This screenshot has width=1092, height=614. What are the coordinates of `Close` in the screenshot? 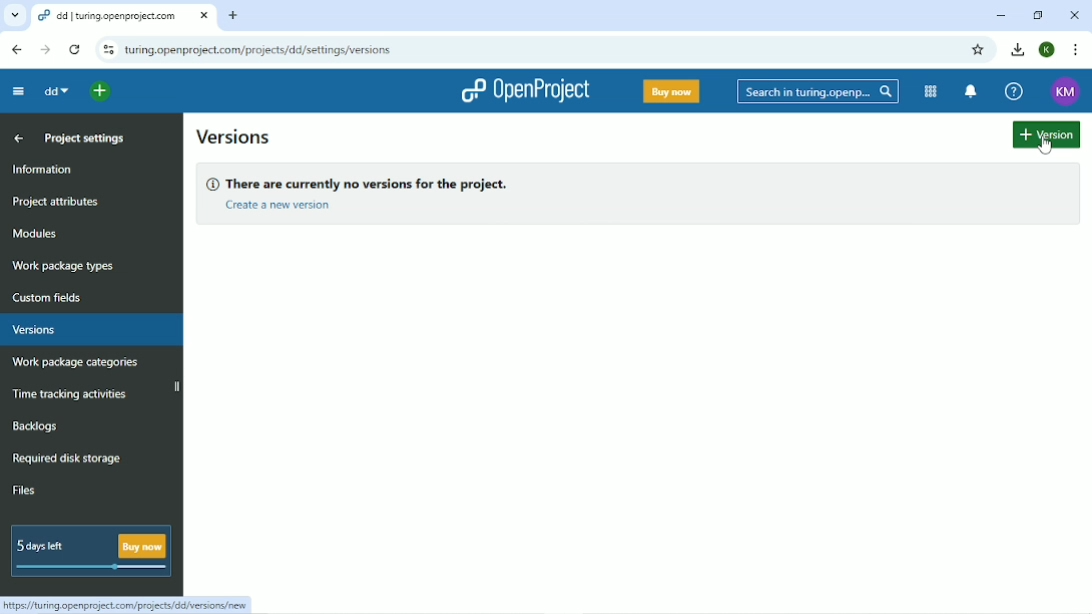 It's located at (1074, 15).